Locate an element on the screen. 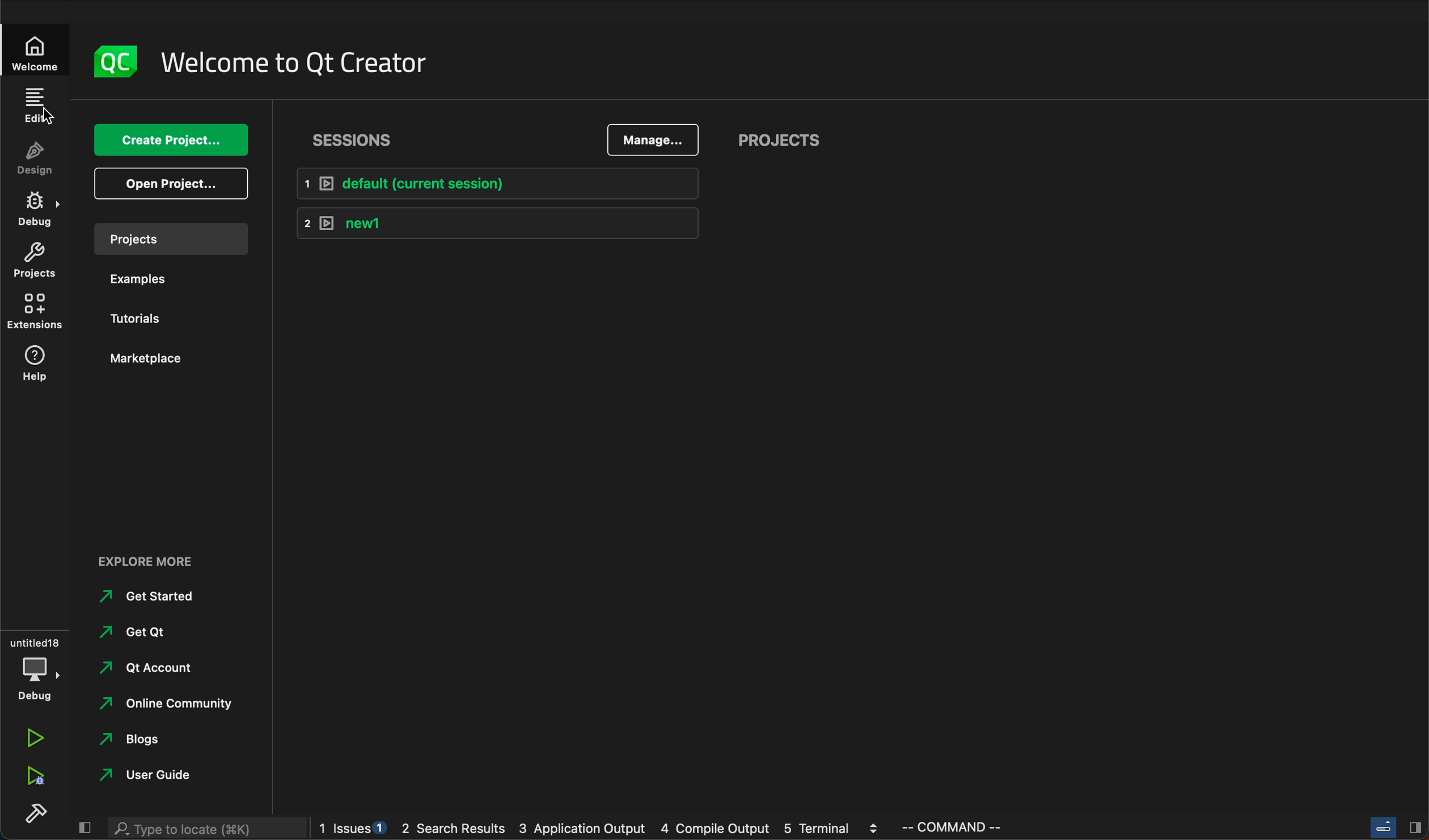  blogs is located at coordinates (133, 739).